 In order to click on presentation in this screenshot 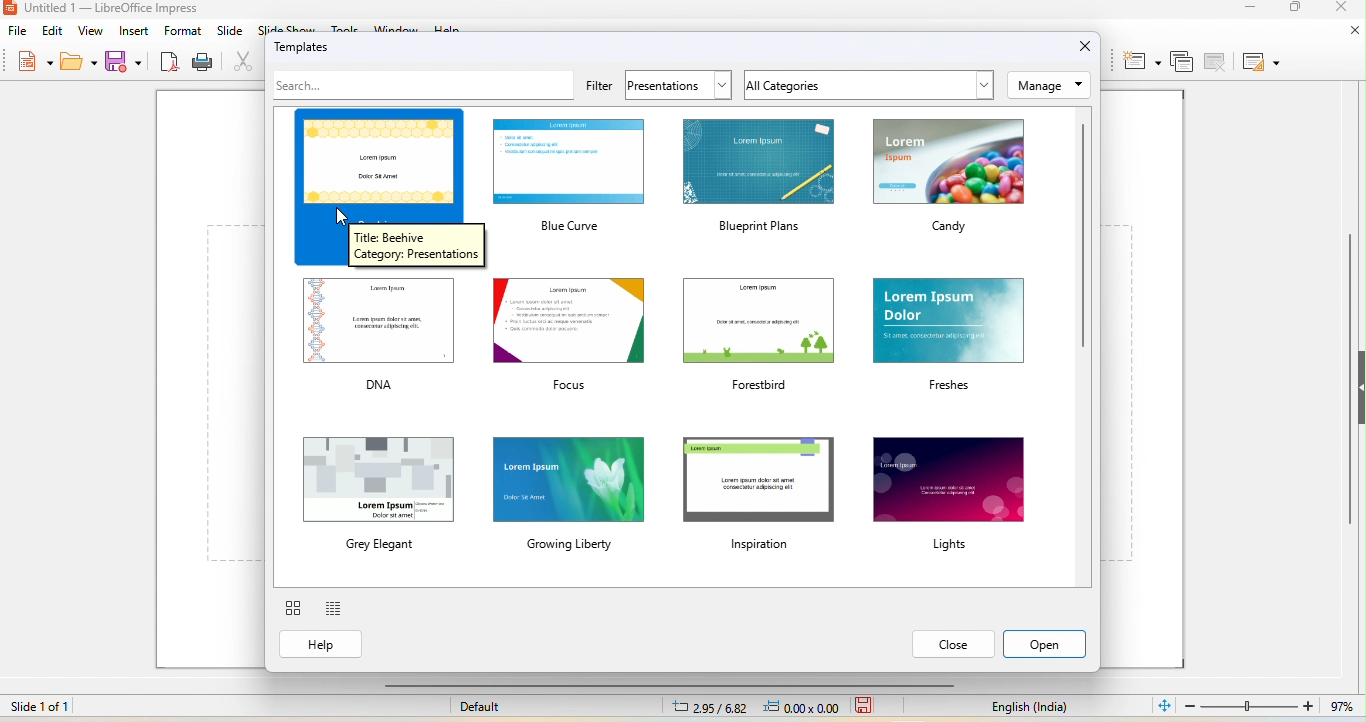, I will do `click(677, 85)`.